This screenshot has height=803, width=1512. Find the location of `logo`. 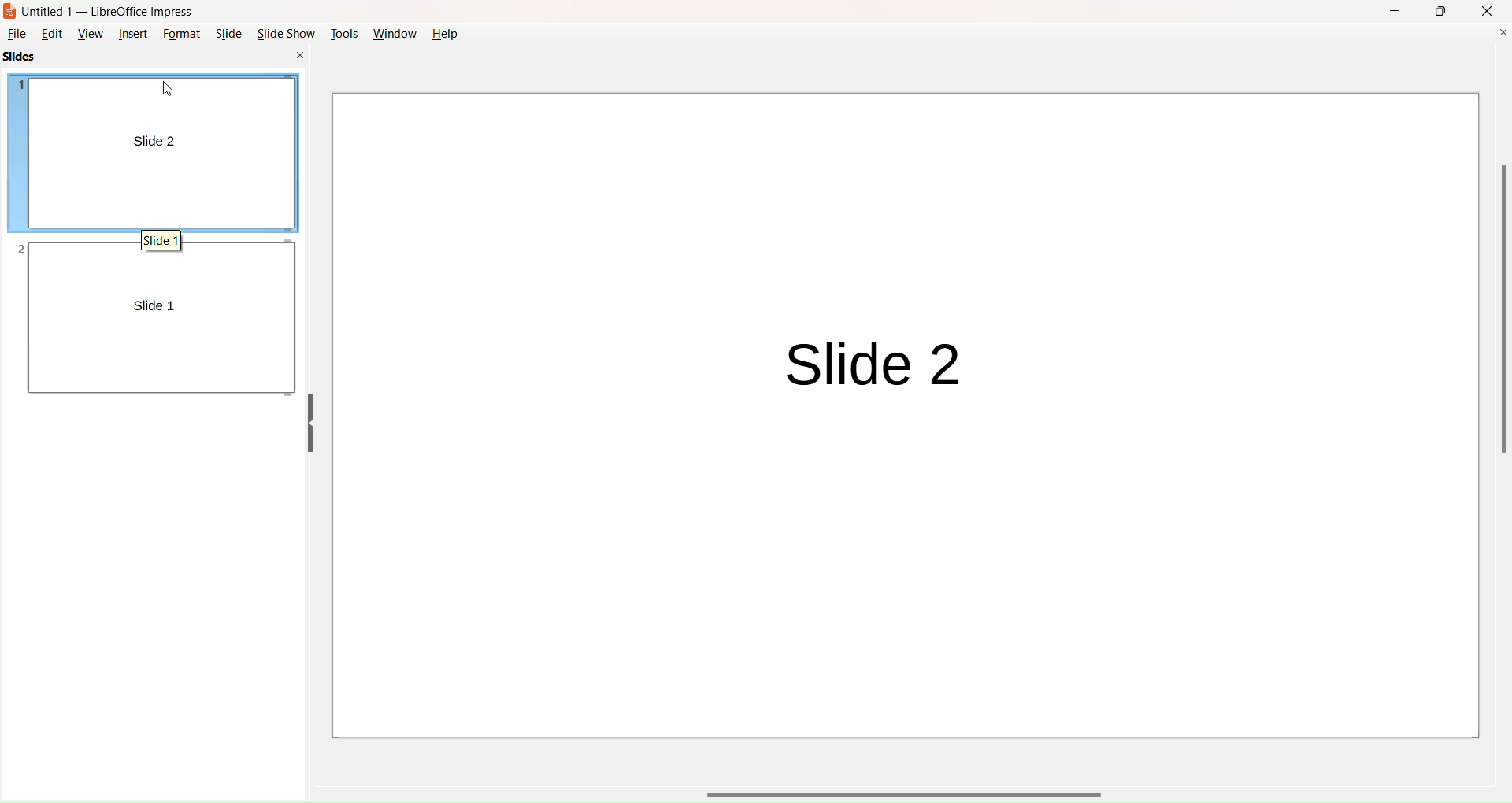

logo is located at coordinates (13, 11).